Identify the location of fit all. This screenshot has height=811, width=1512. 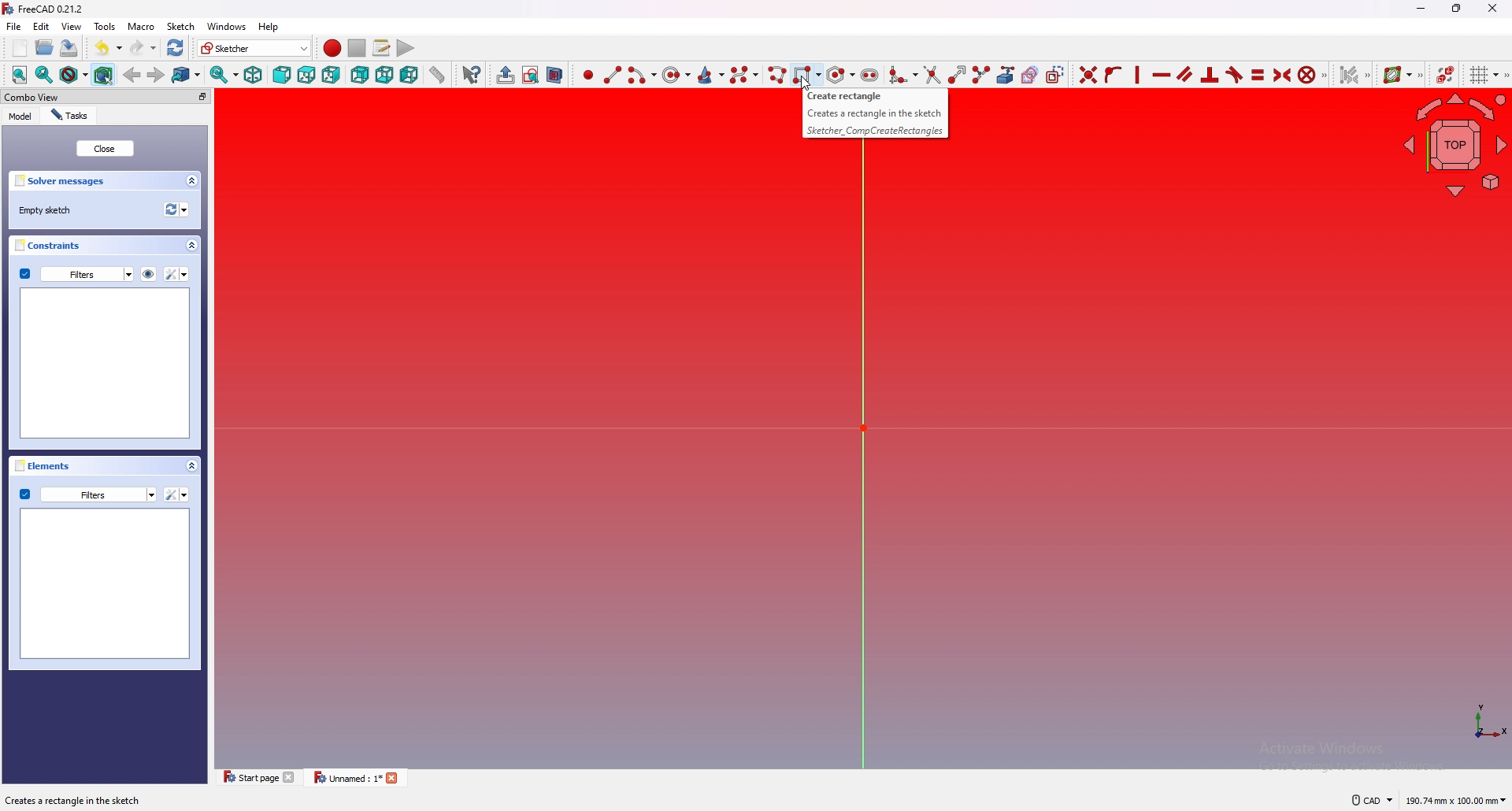
(19, 75).